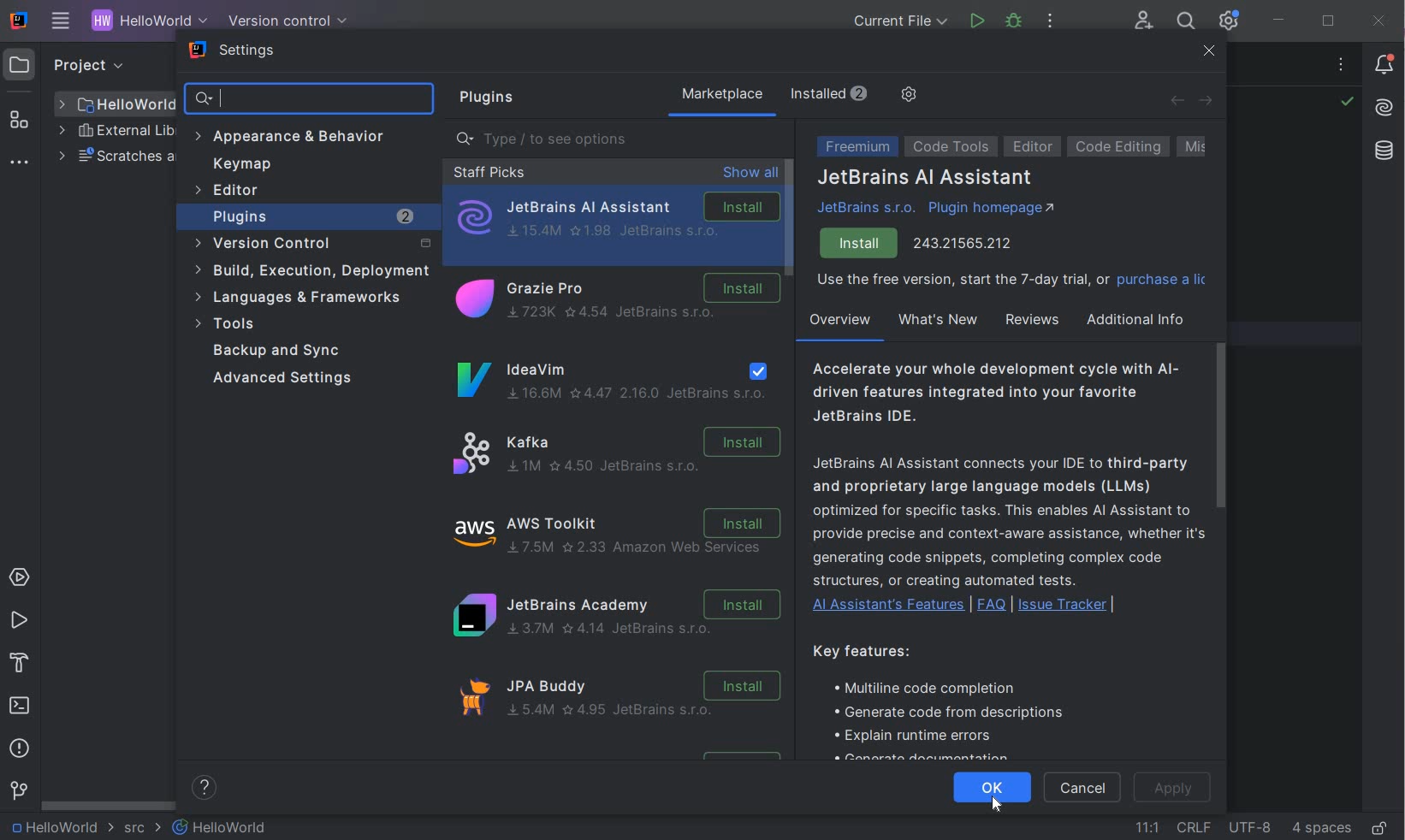 Image resolution: width=1405 pixels, height=840 pixels. I want to click on FORWARD, so click(1206, 102).